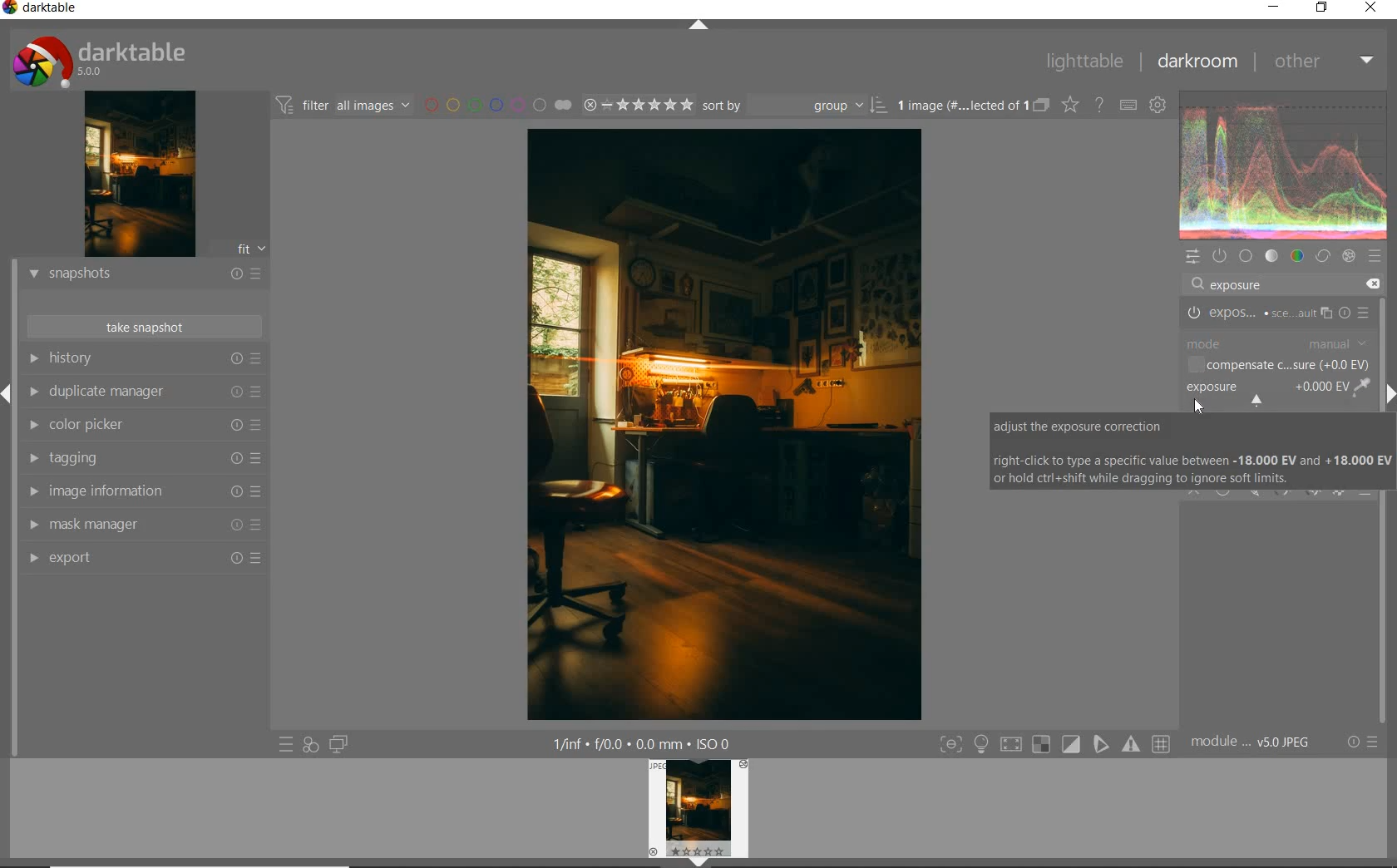 Image resolution: width=1397 pixels, height=868 pixels. I want to click on scrollbar, so click(1387, 510).